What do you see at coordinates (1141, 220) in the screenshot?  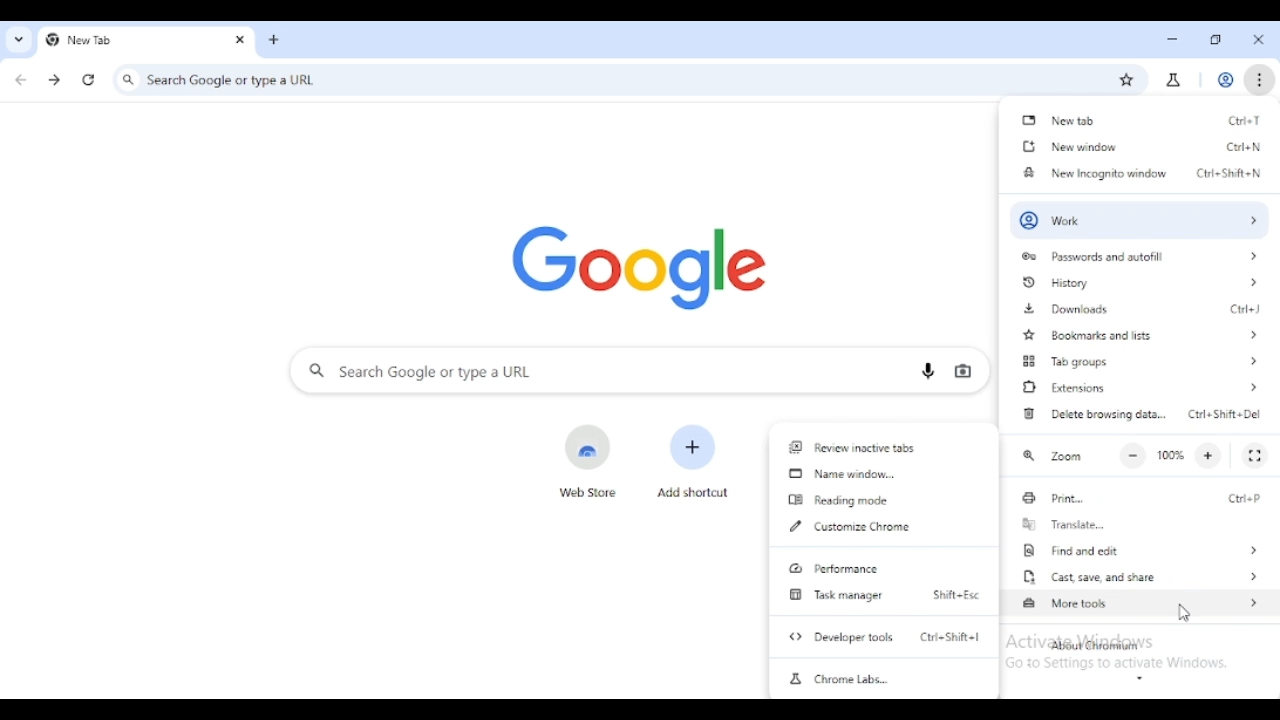 I see `profile` at bounding box center [1141, 220].